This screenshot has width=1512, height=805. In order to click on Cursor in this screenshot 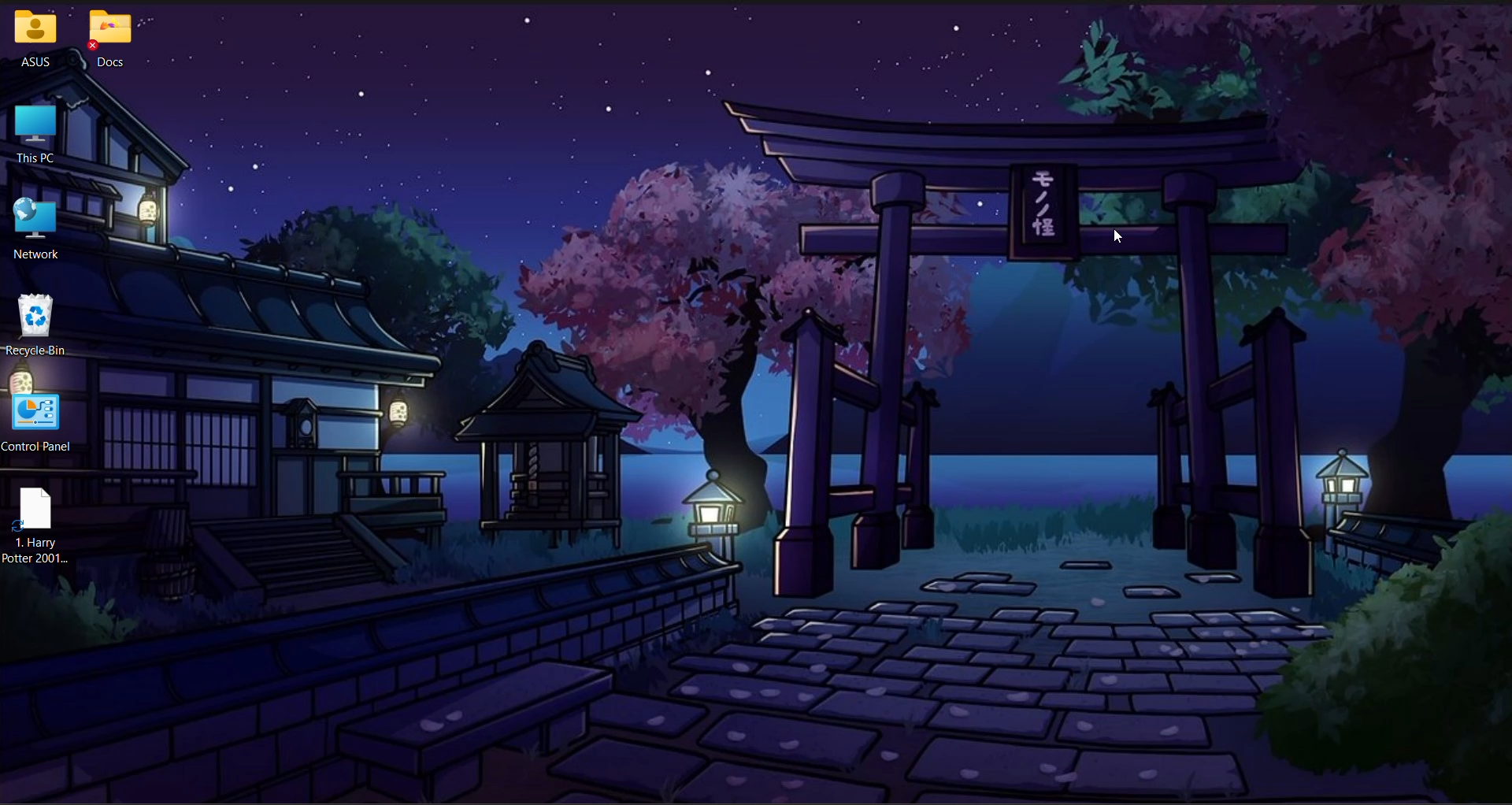, I will do `click(1117, 236)`.